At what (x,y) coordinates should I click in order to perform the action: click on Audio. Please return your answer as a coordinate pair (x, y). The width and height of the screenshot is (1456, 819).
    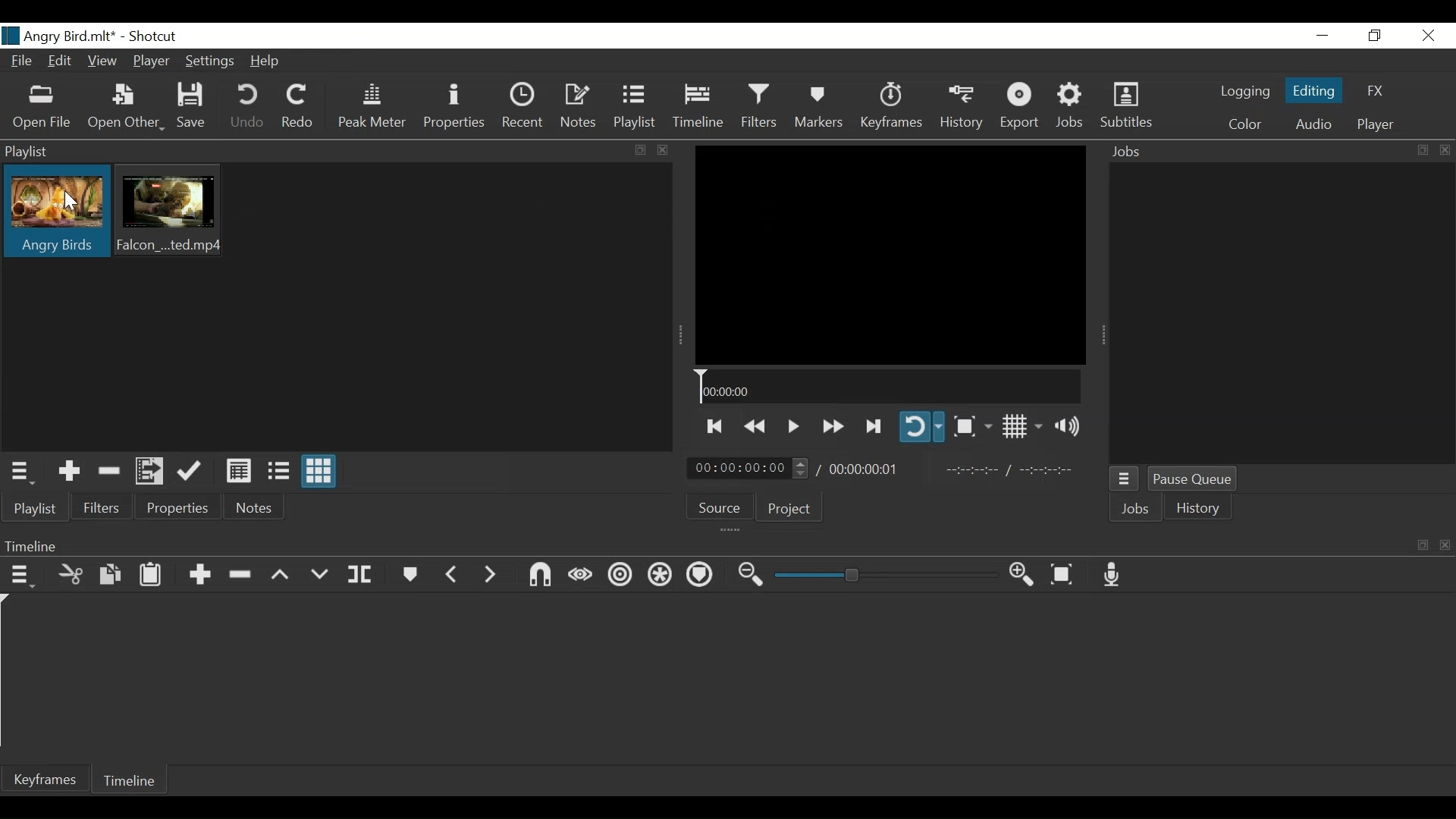
    Looking at the image, I should click on (1313, 124).